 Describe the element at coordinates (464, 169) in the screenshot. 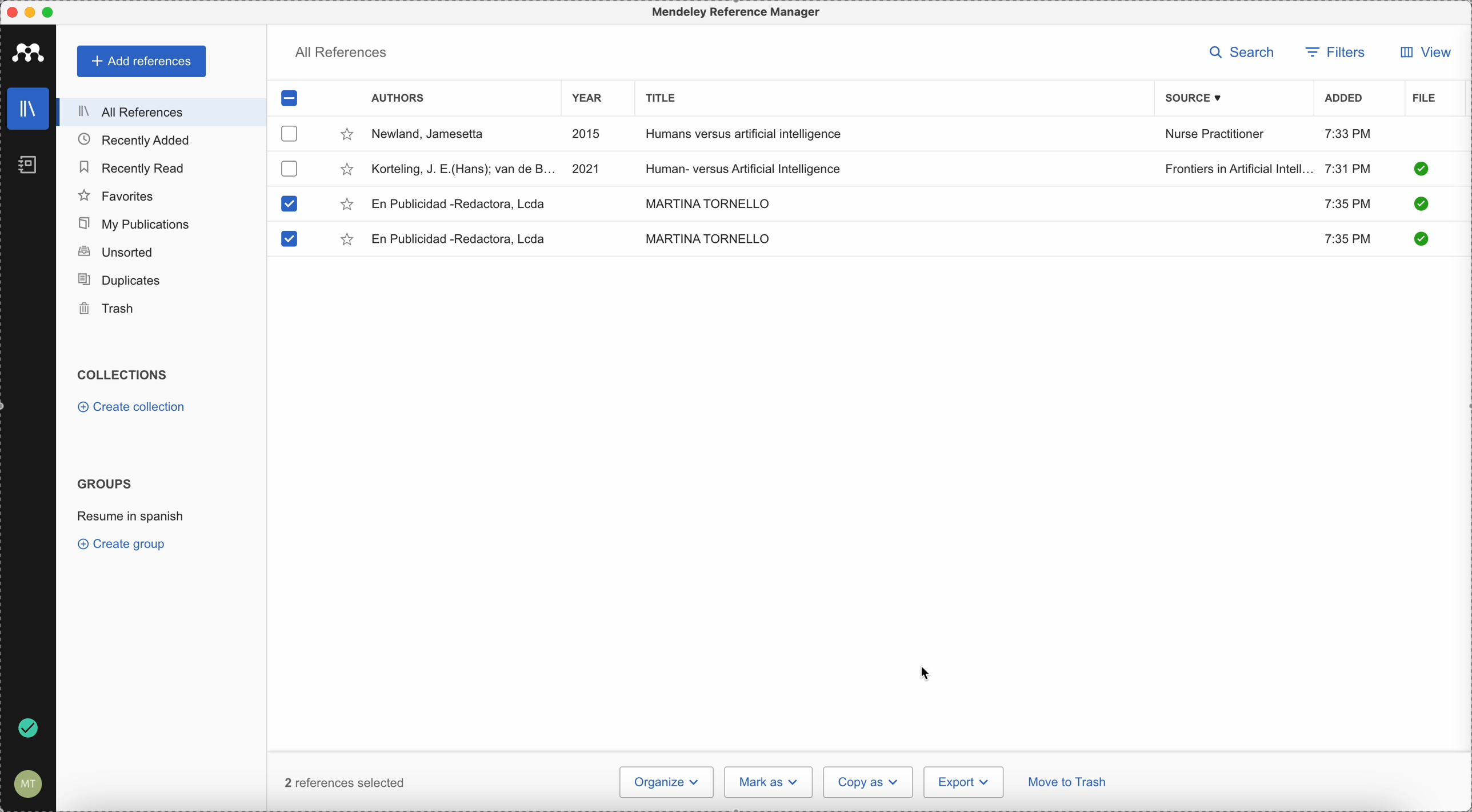

I see `Korteling, J.E.(Hans)` at that location.